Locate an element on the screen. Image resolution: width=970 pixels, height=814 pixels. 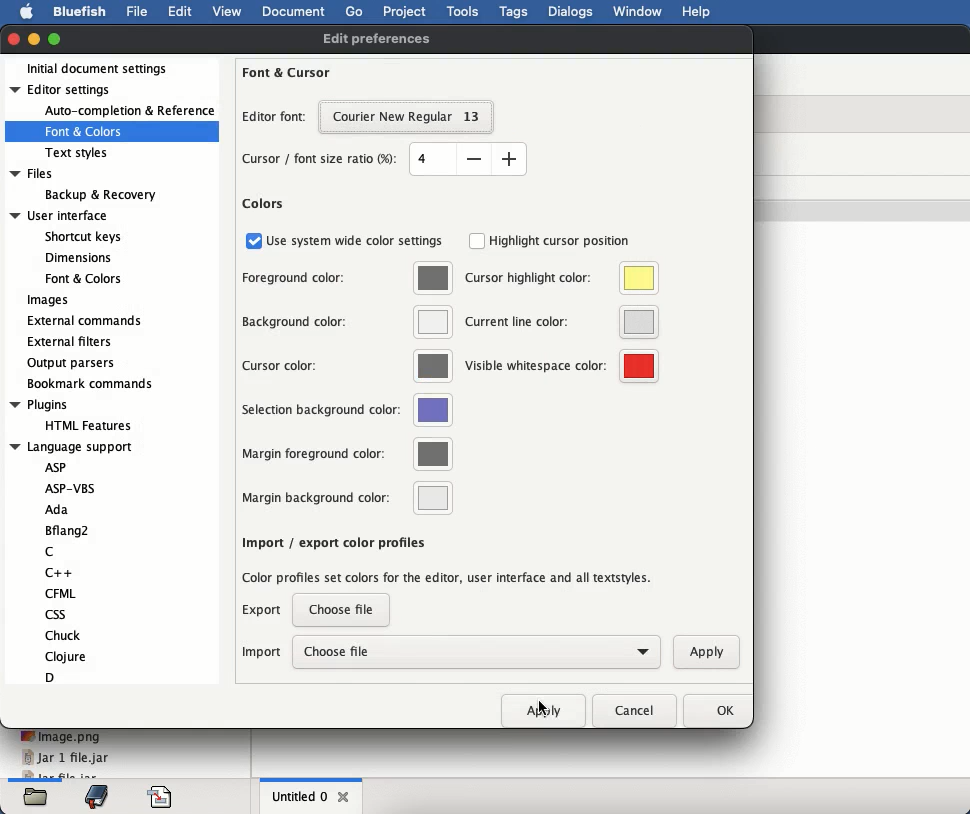
cursor highlight color is located at coordinates (561, 279).